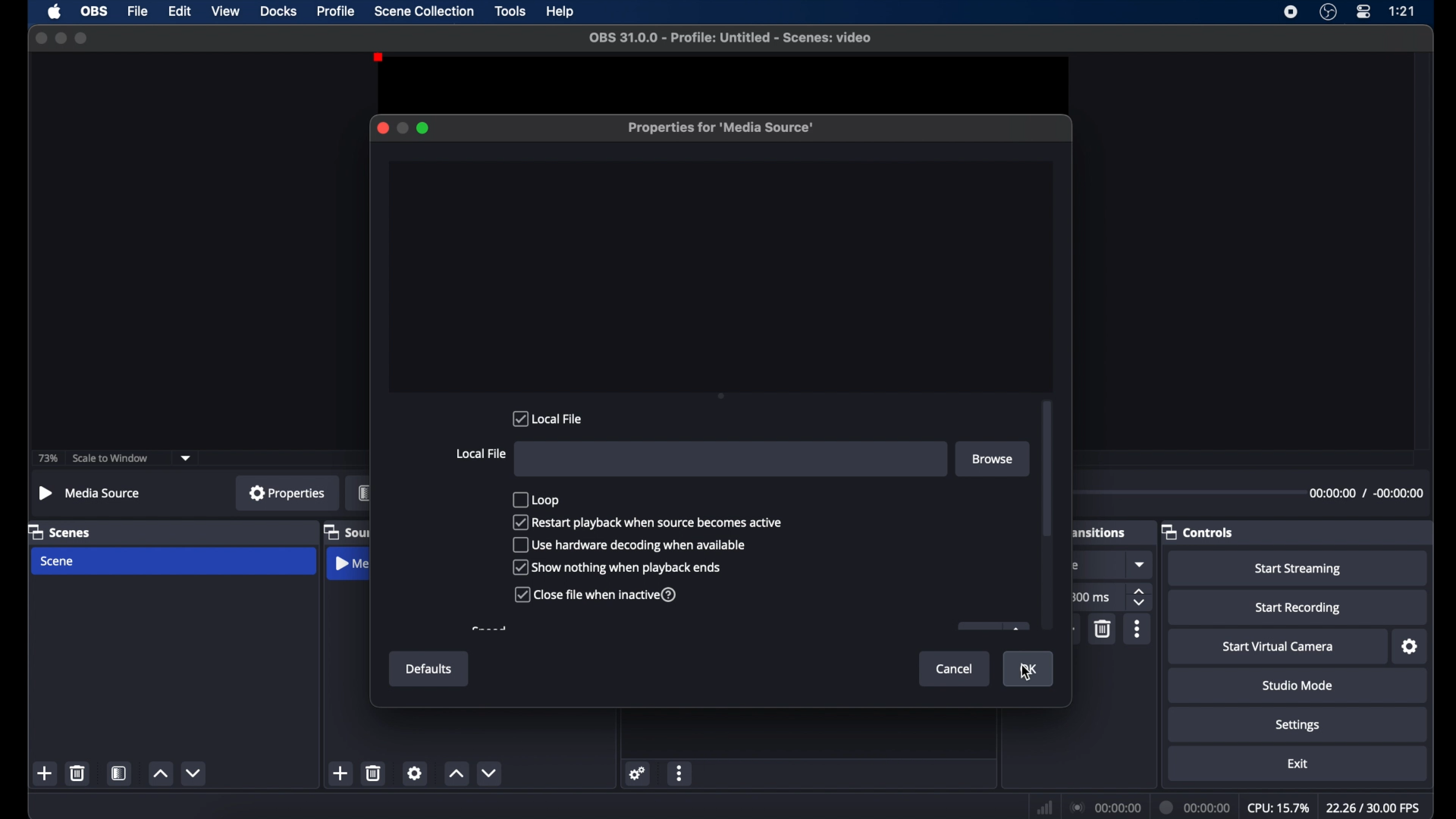 The height and width of the screenshot is (819, 1456). I want to click on add, so click(1071, 627).